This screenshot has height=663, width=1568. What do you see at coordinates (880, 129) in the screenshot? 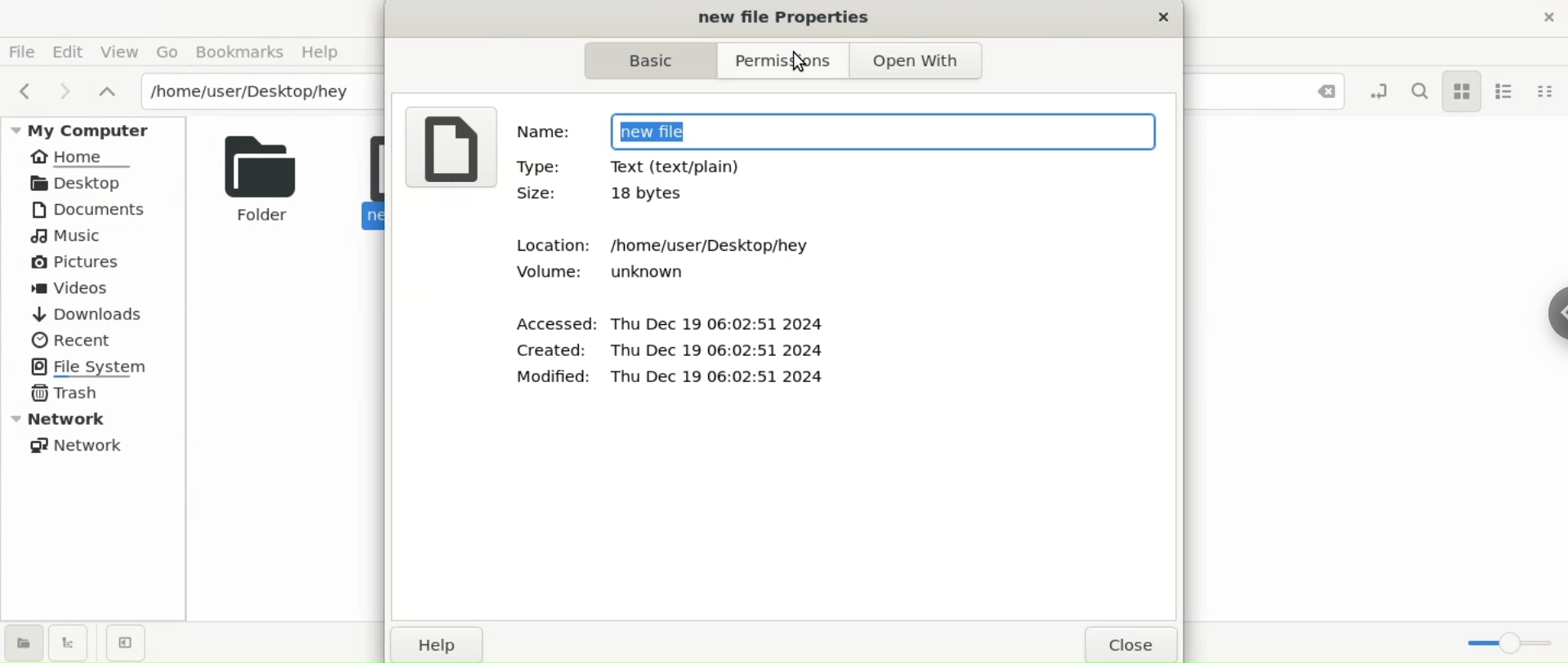
I see `new file` at bounding box center [880, 129].